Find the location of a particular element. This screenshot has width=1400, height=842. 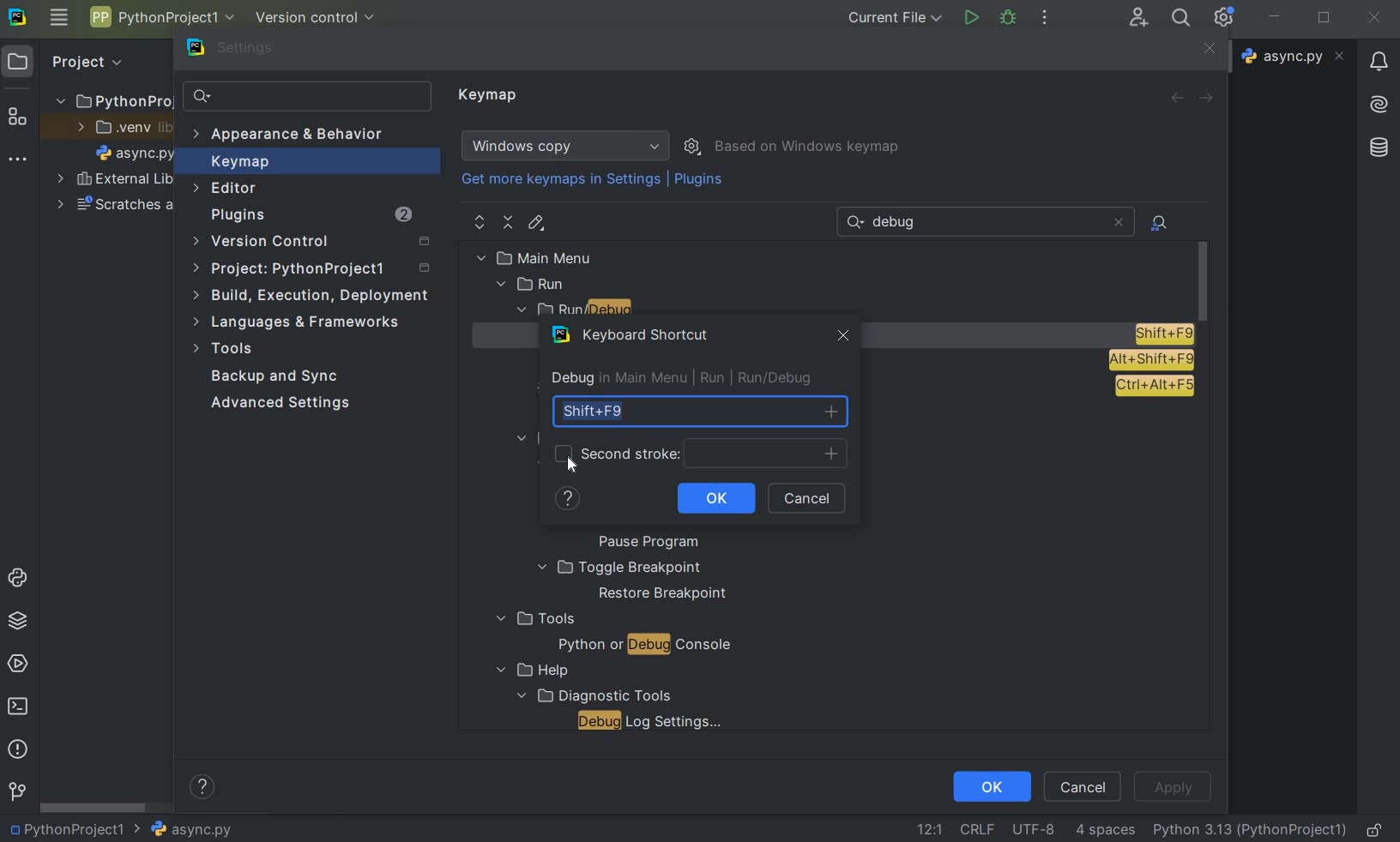

go to line is located at coordinates (929, 829).